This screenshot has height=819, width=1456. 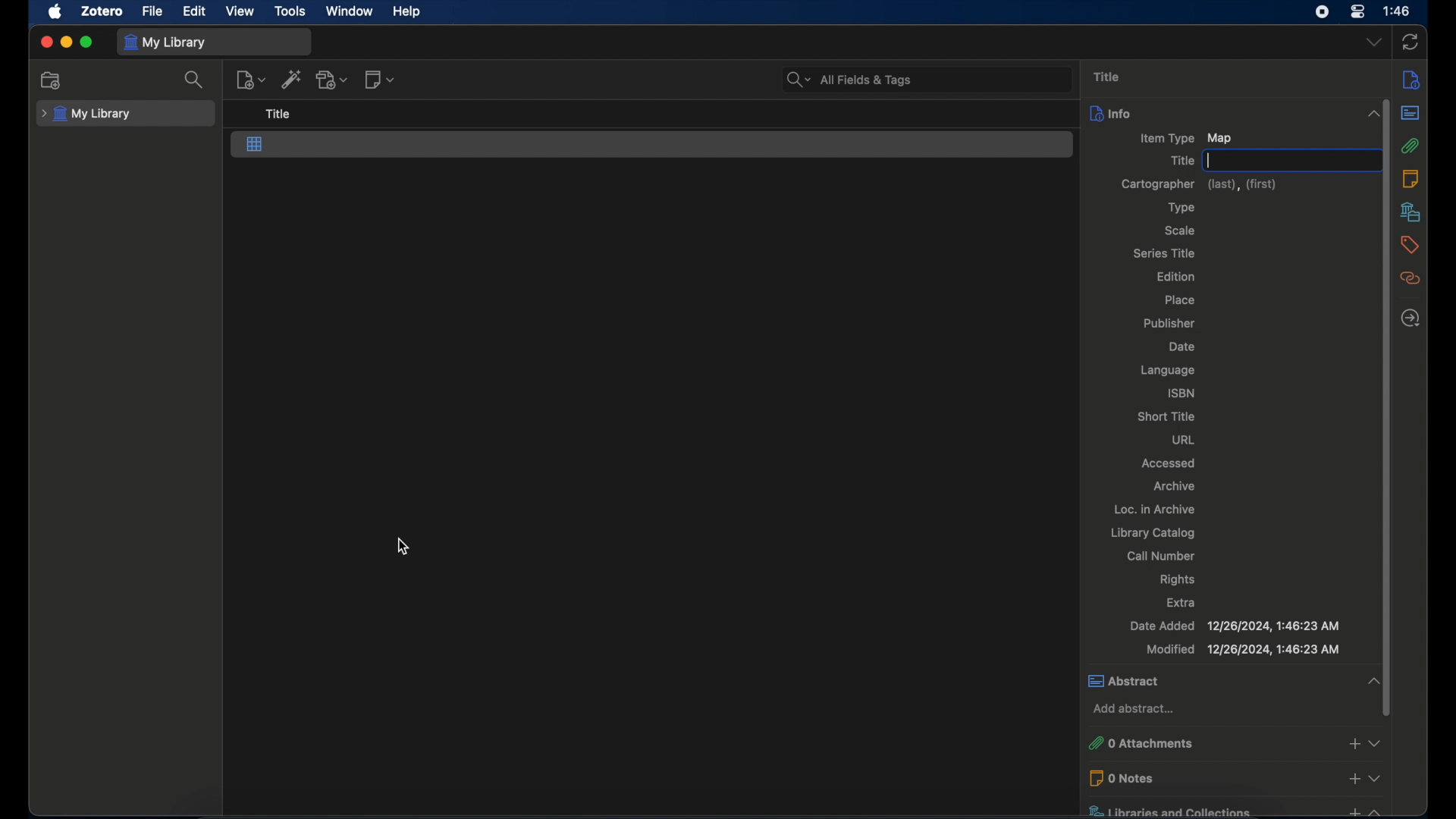 What do you see at coordinates (1410, 112) in the screenshot?
I see `abstract` at bounding box center [1410, 112].